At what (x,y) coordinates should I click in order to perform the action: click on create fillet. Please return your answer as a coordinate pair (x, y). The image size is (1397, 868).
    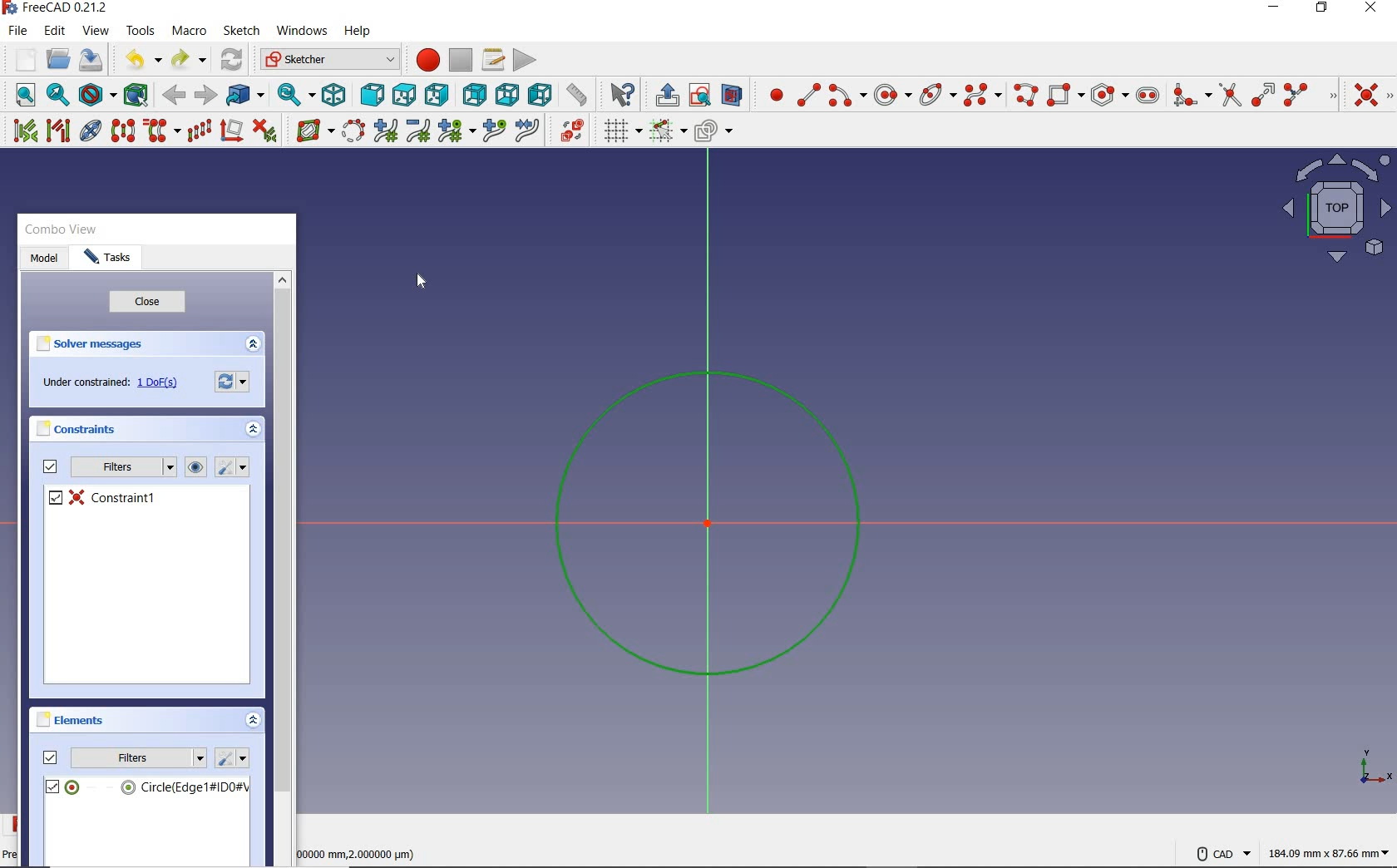
    Looking at the image, I should click on (1190, 96).